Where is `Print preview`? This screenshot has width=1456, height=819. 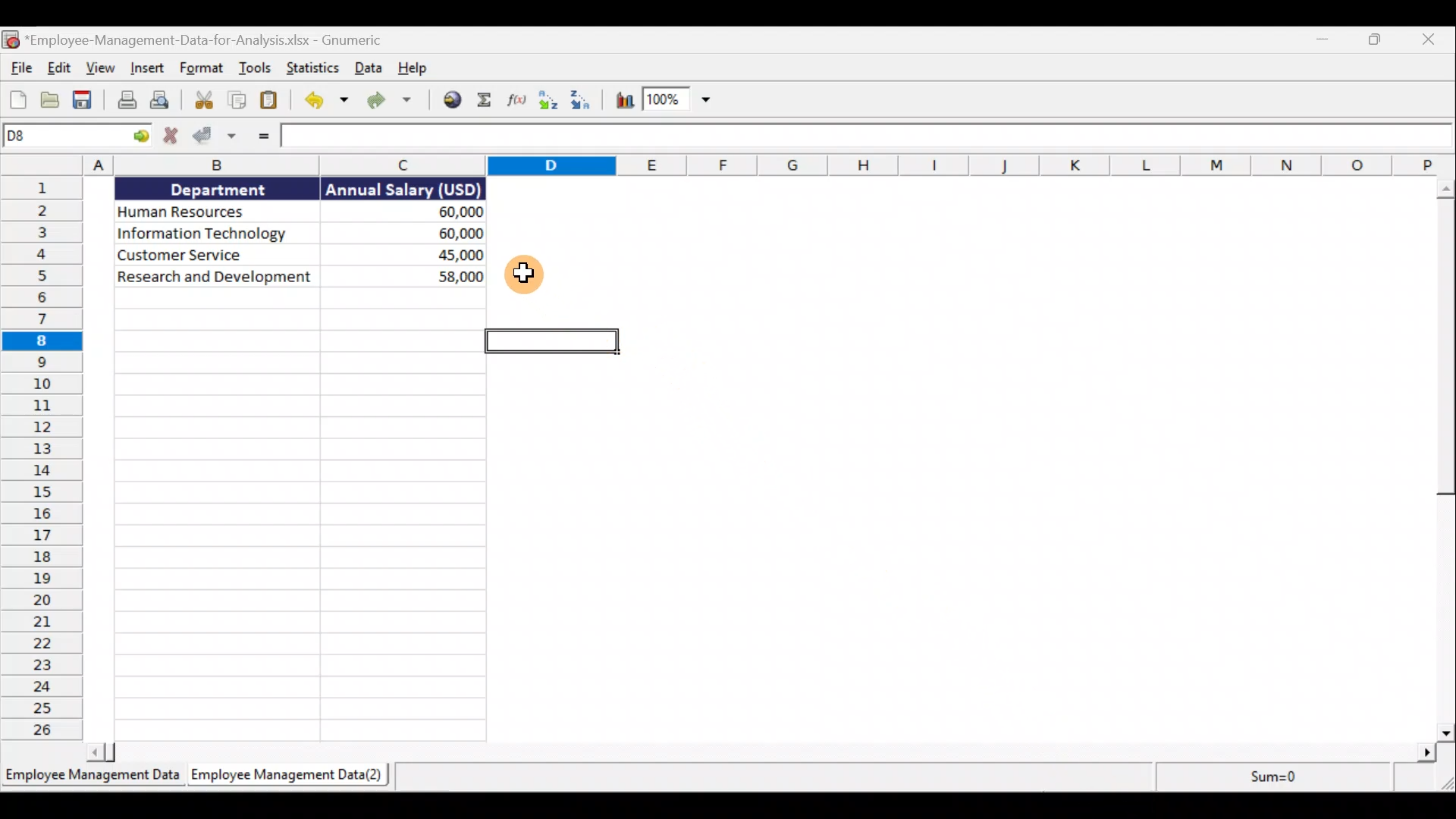 Print preview is located at coordinates (165, 102).